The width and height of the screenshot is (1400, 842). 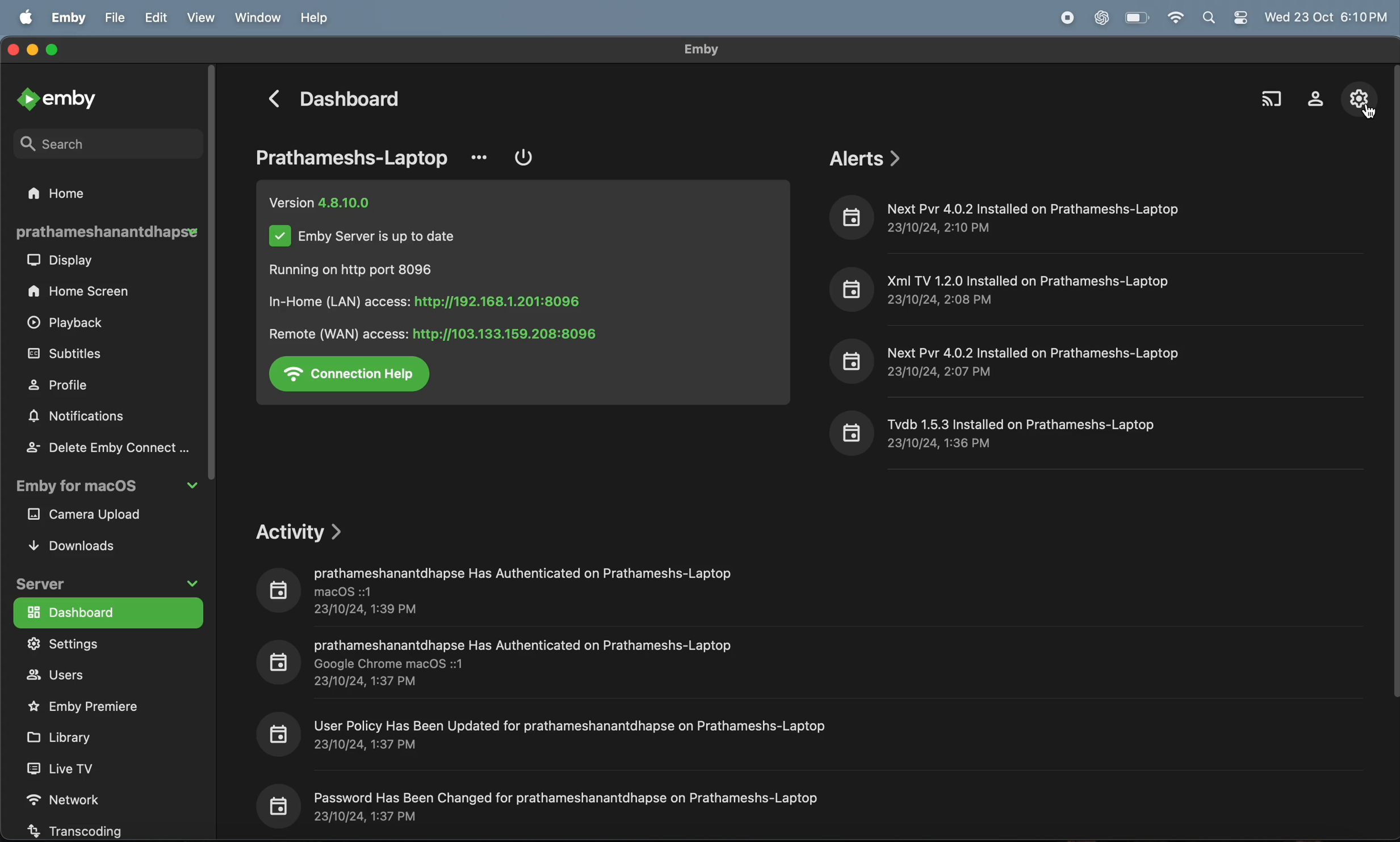 What do you see at coordinates (12, 48) in the screenshot?
I see `closing window` at bounding box center [12, 48].